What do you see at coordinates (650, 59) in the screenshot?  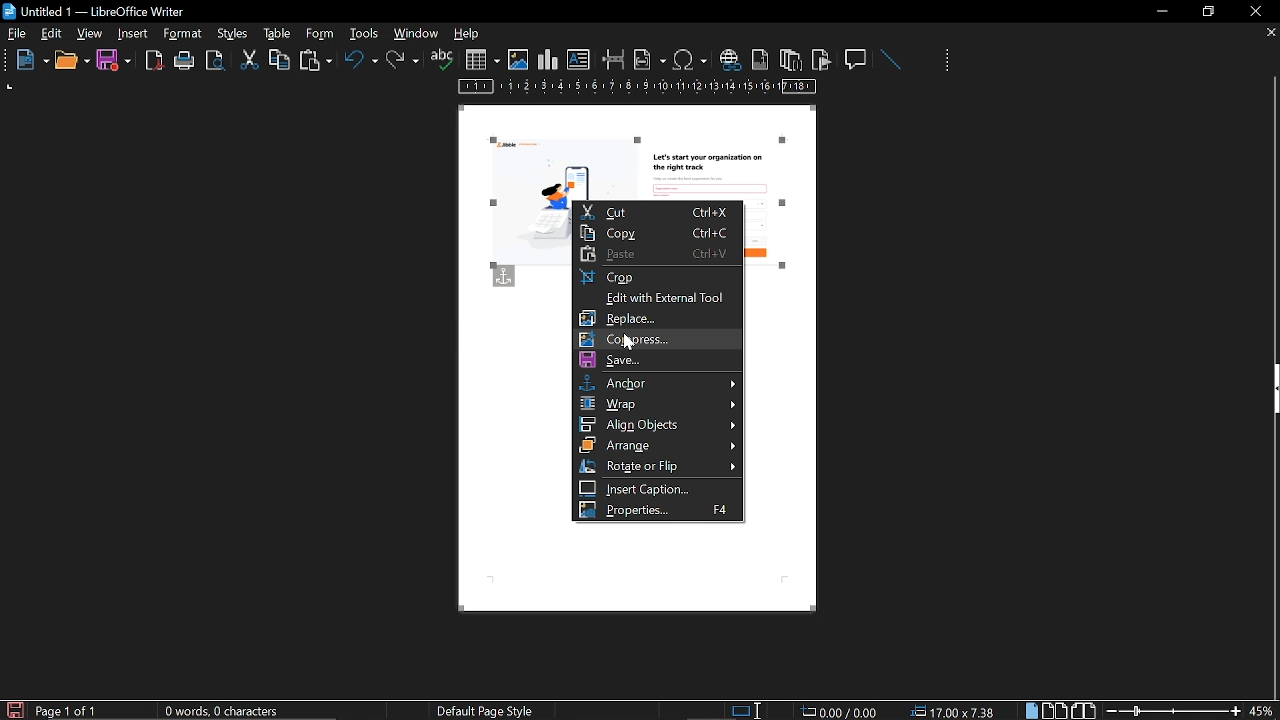 I see `insert field` at bounding box center [650, 59].